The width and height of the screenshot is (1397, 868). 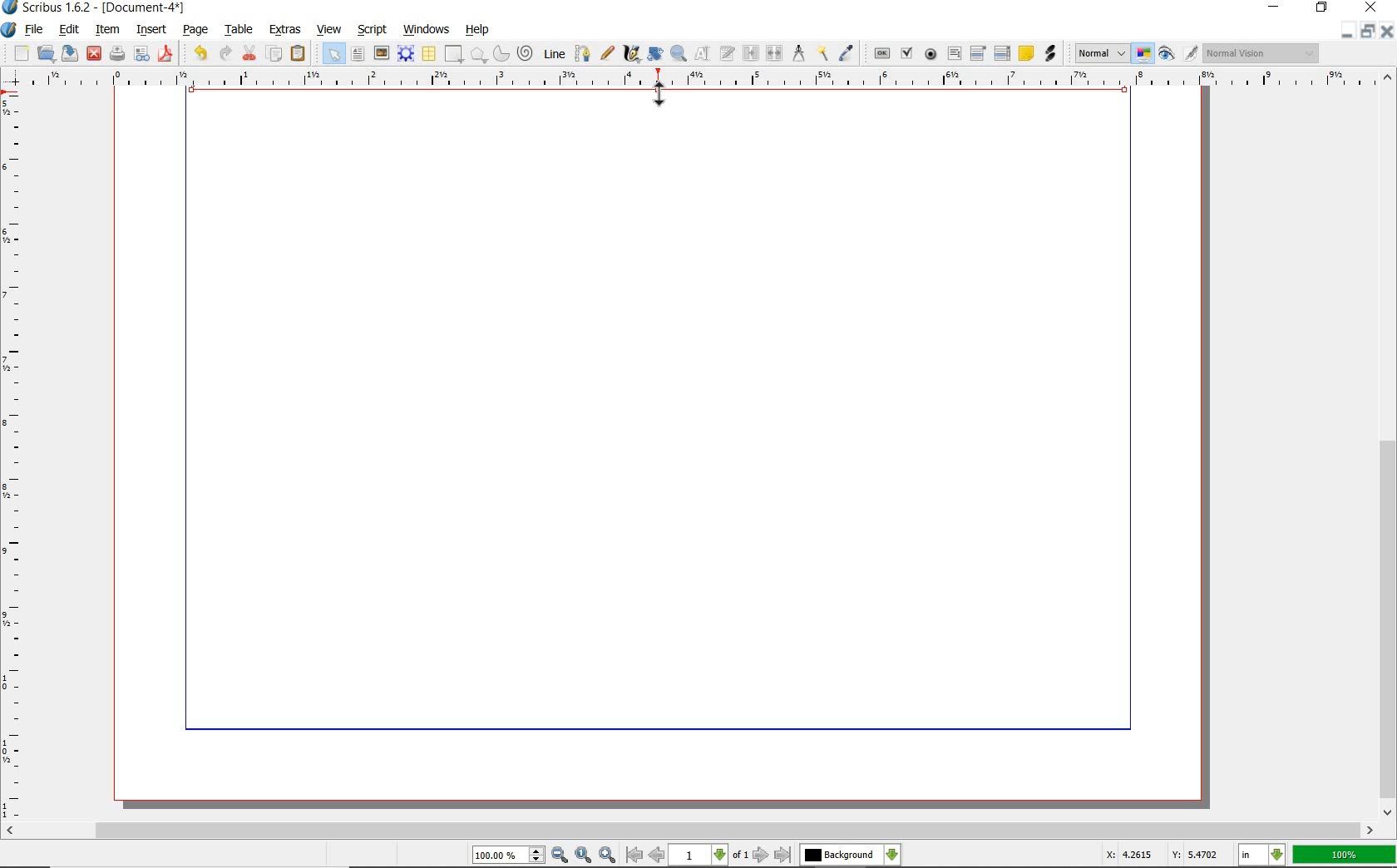 I want to click on calligraphic line, so click(x=631, y=53).